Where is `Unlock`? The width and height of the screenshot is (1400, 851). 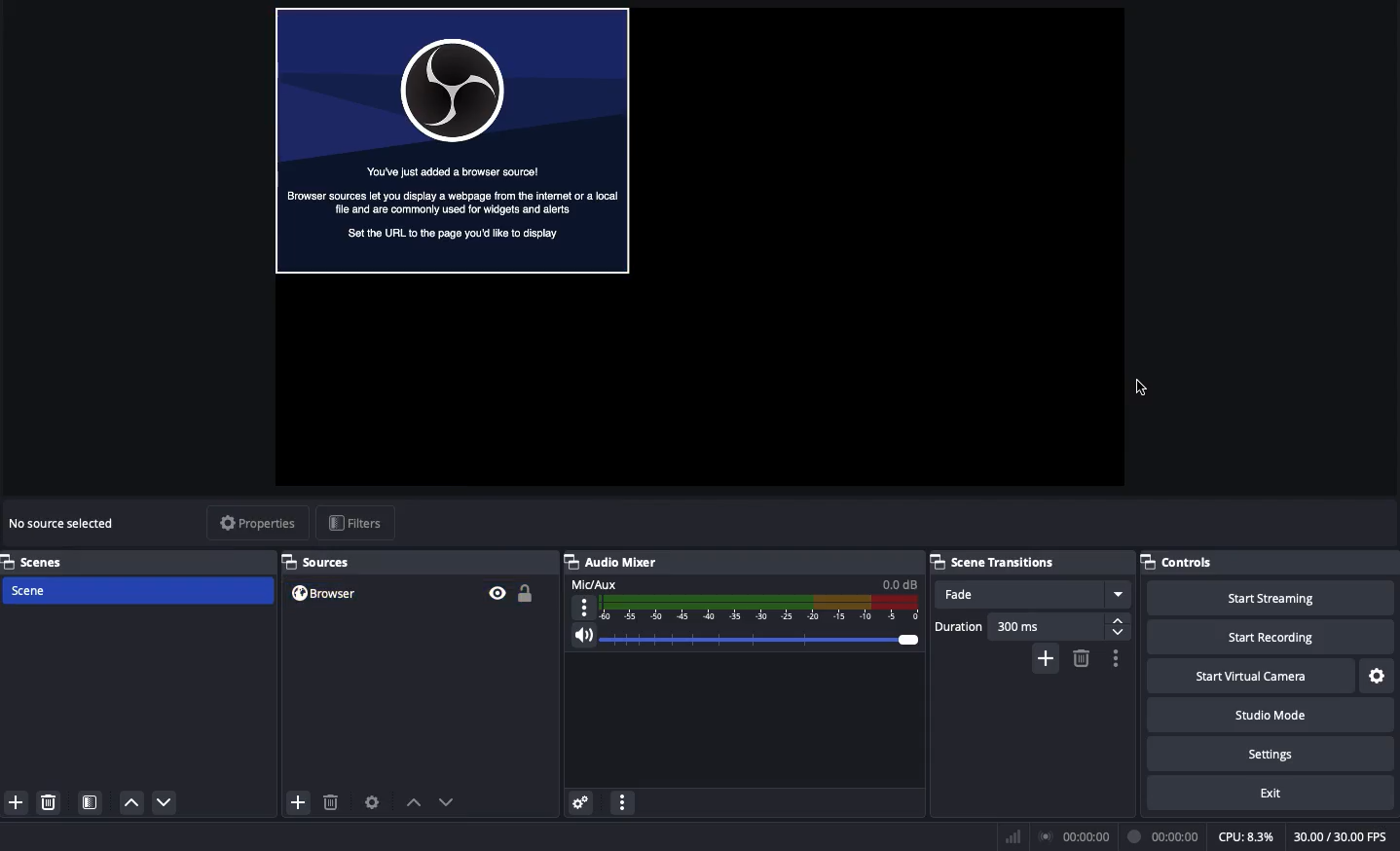
Unlock is located at coordinates (527, 595).